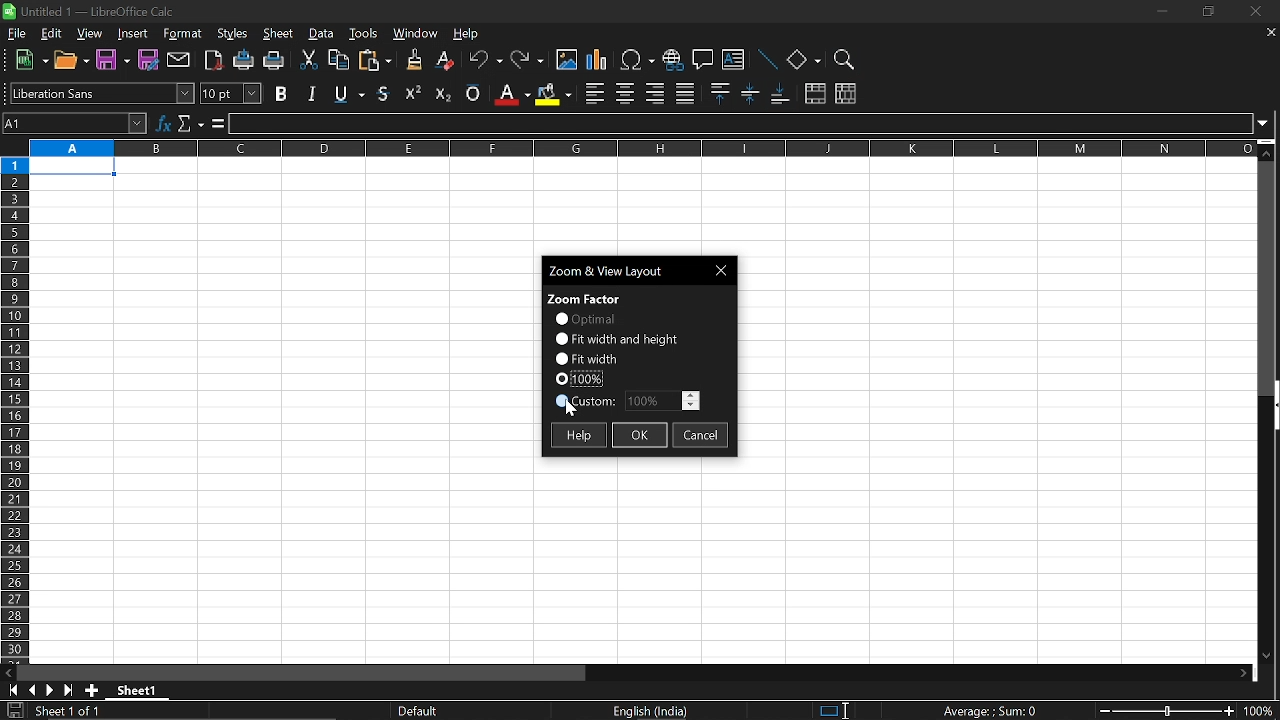  Describe the element at coordinates (111, 61) in the screenshot. I see `Save` at that location.